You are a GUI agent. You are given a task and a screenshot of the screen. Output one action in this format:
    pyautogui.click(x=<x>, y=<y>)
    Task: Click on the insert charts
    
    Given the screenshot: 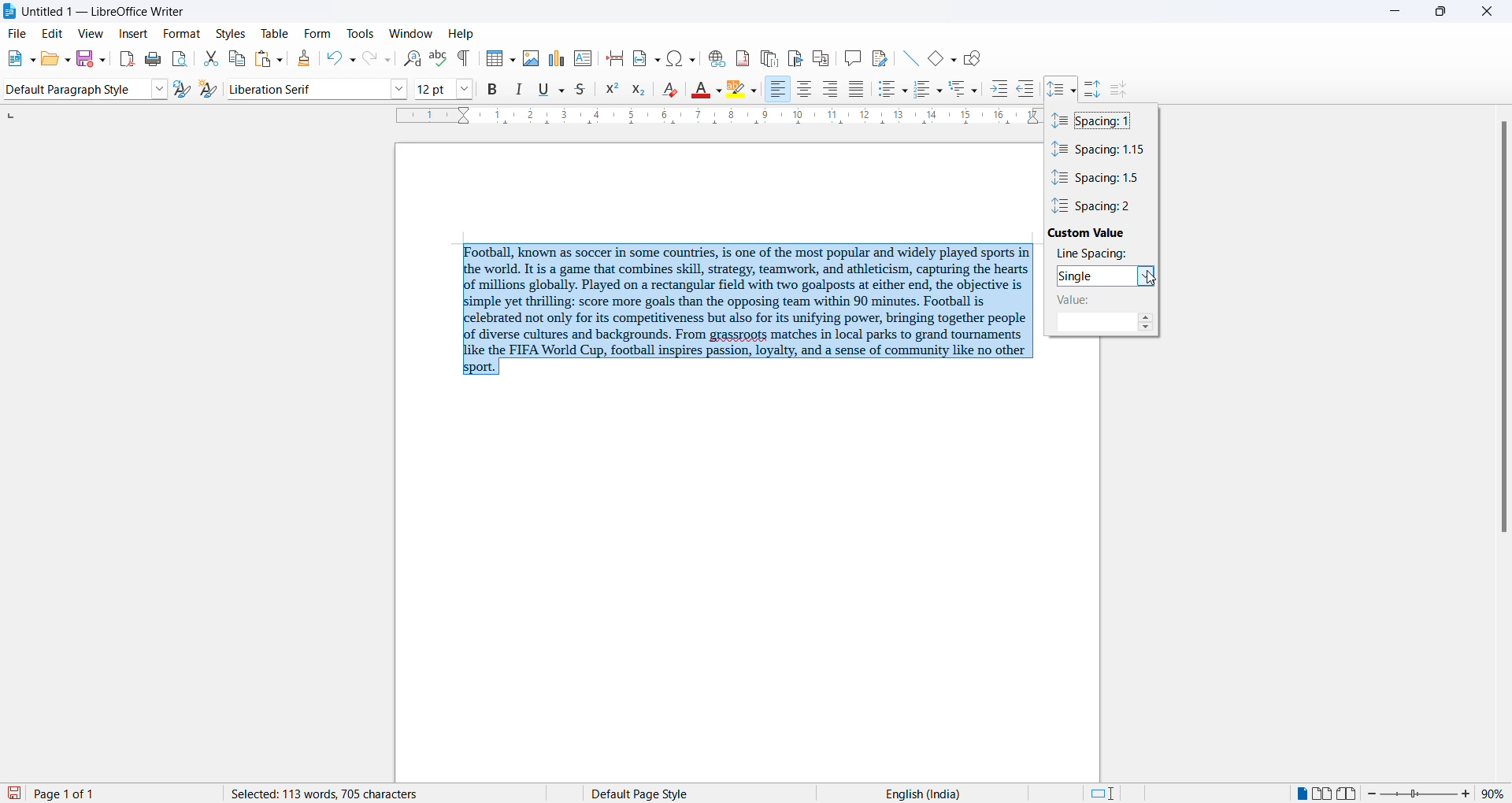 What is the action you would take?
    pyautogui.click(x=556, y=57)
    